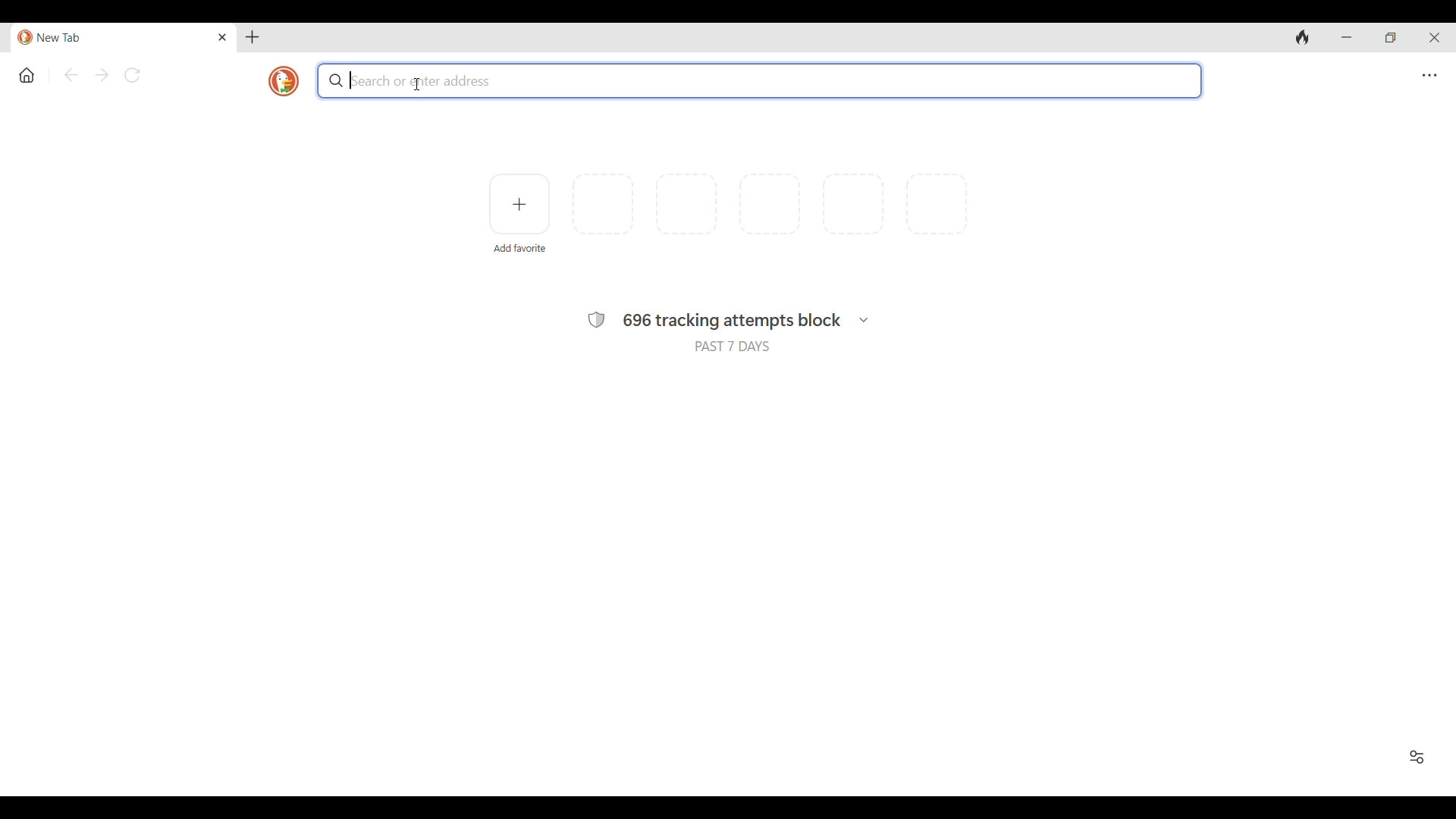 The height and width of the screenshot is (819, 1456). What do you see at coordinates (222, 37) in the screenshot?
I see `Close current open tab` at bounding box center [222, 37].